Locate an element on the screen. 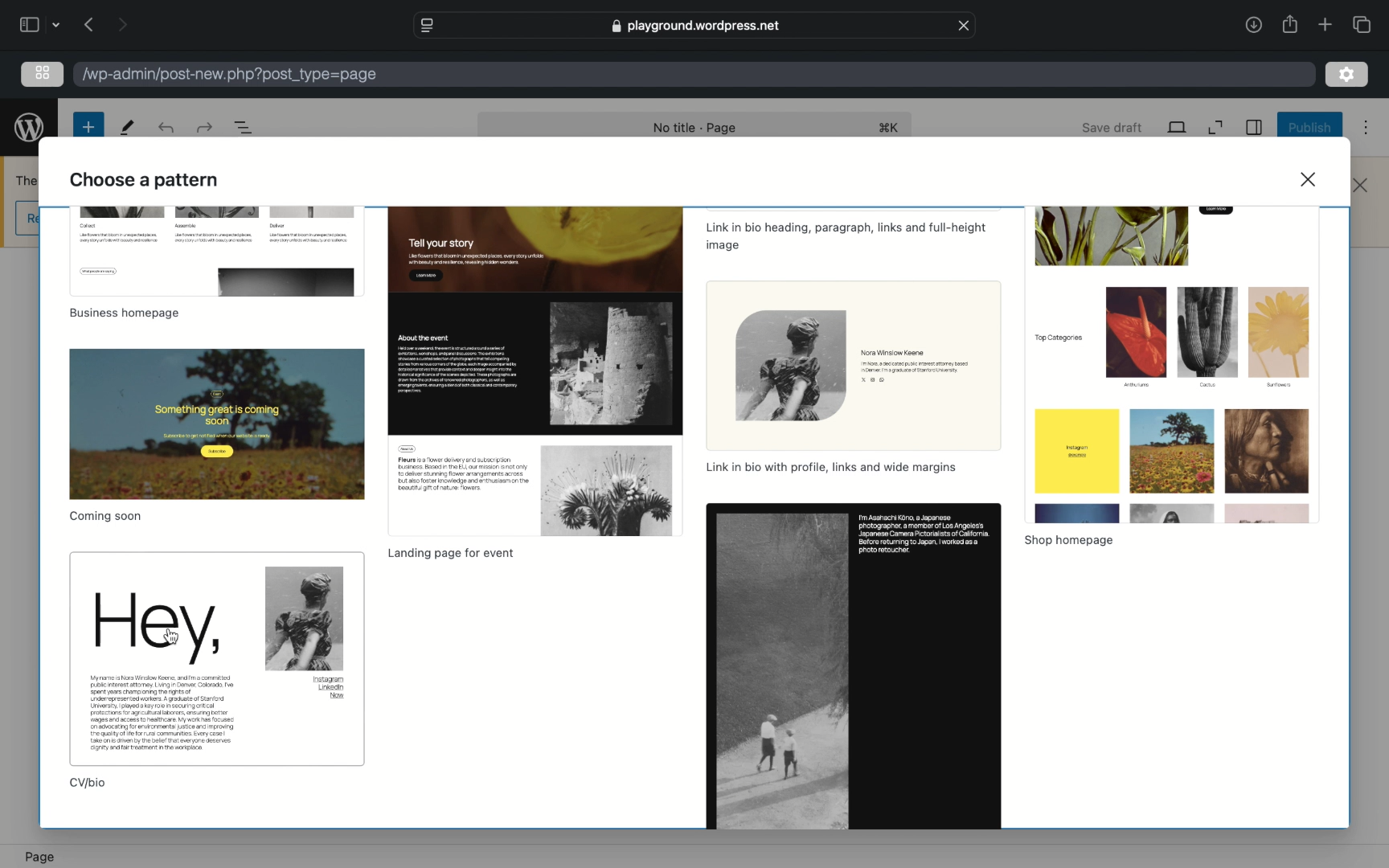  landing page for event is located at coordinates (449, 554).